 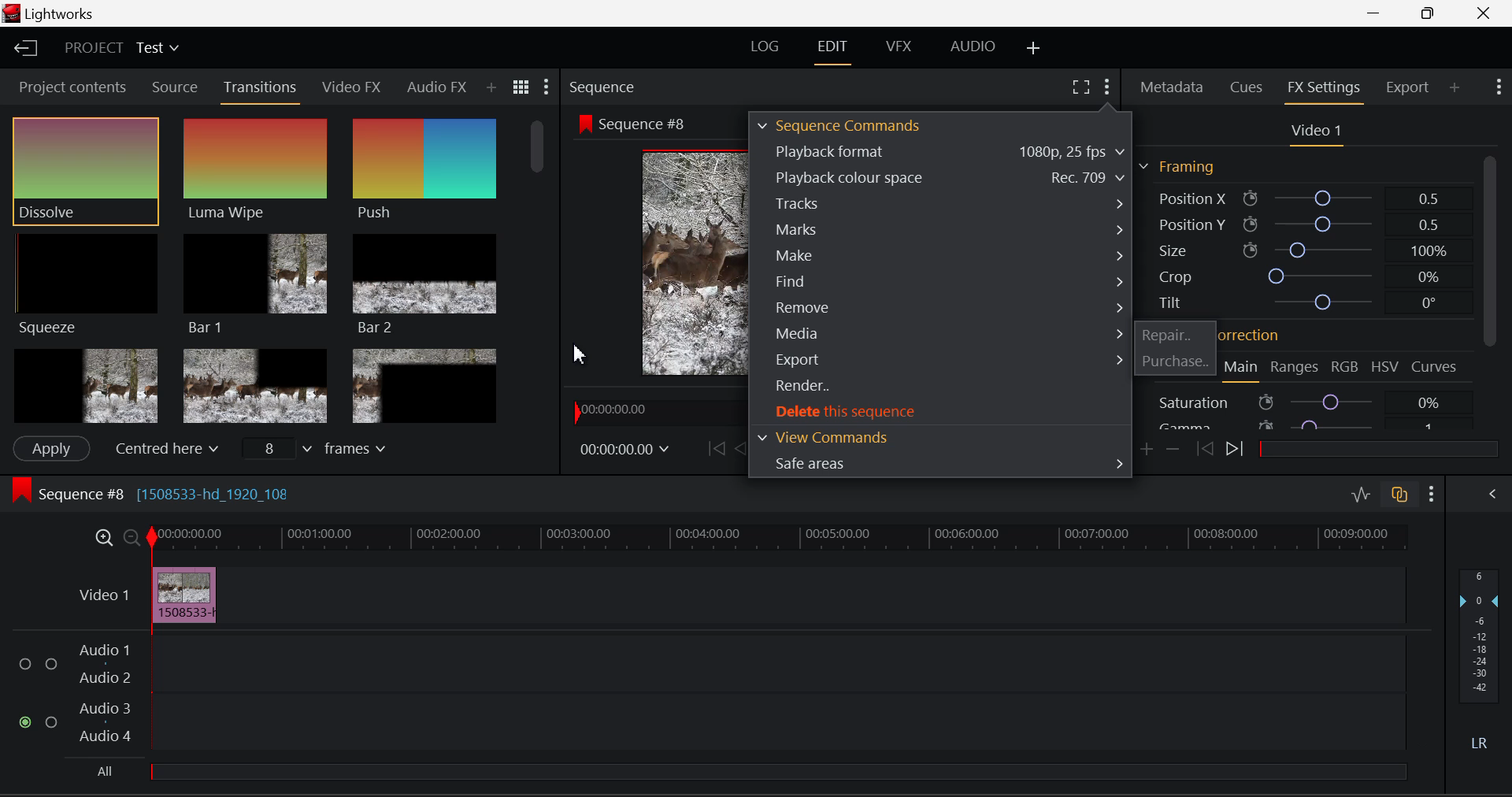 What do you see at coordinates (942, 177) in the screenshot?
I see `Playback color space` at bounding box center [942, 177].